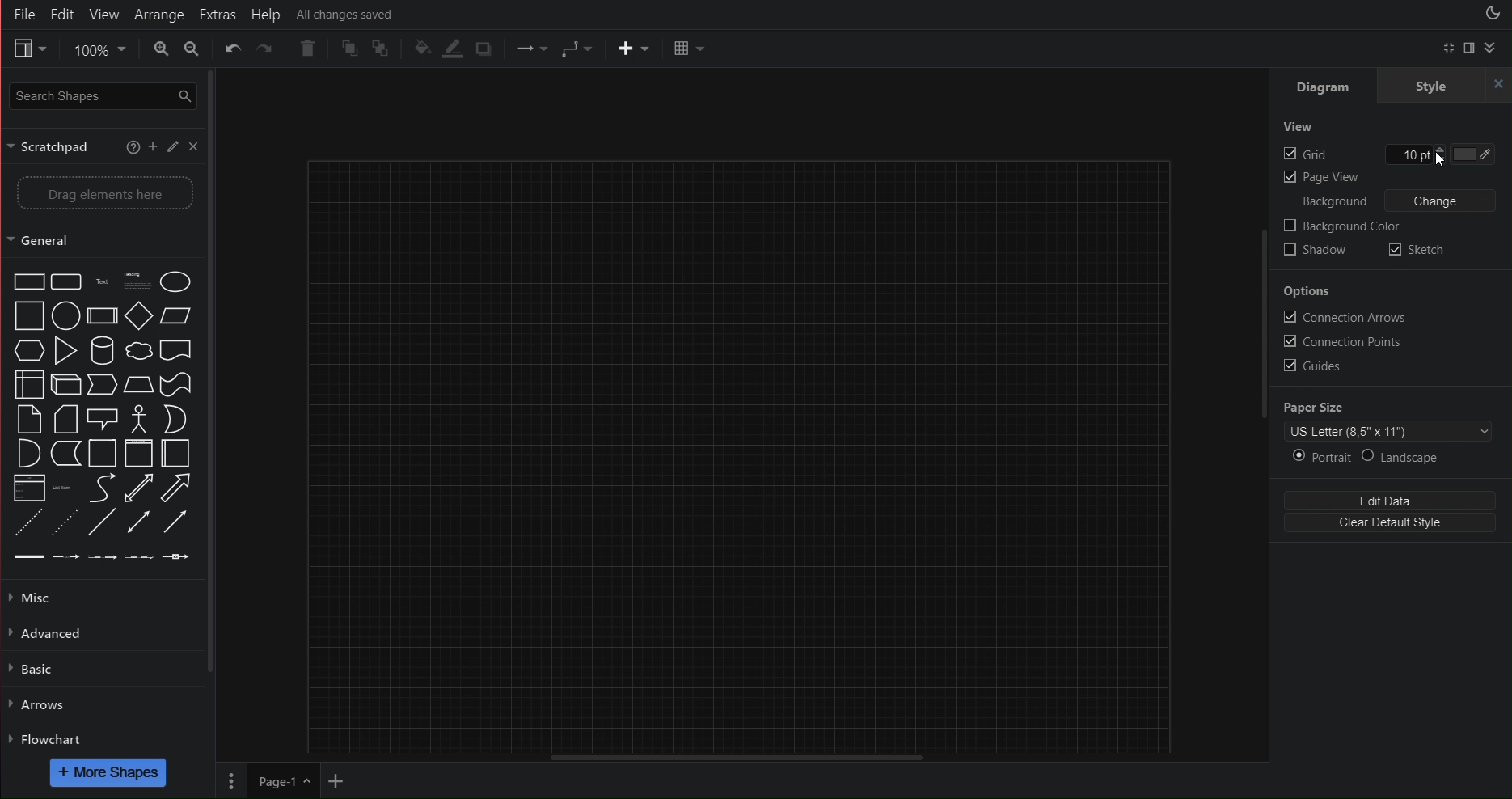 This screenshot has height=799, width=1512. What do you see at coordinates (233, 52) in the screenshot?
I see `Undo` at bounding box center [233, 52].